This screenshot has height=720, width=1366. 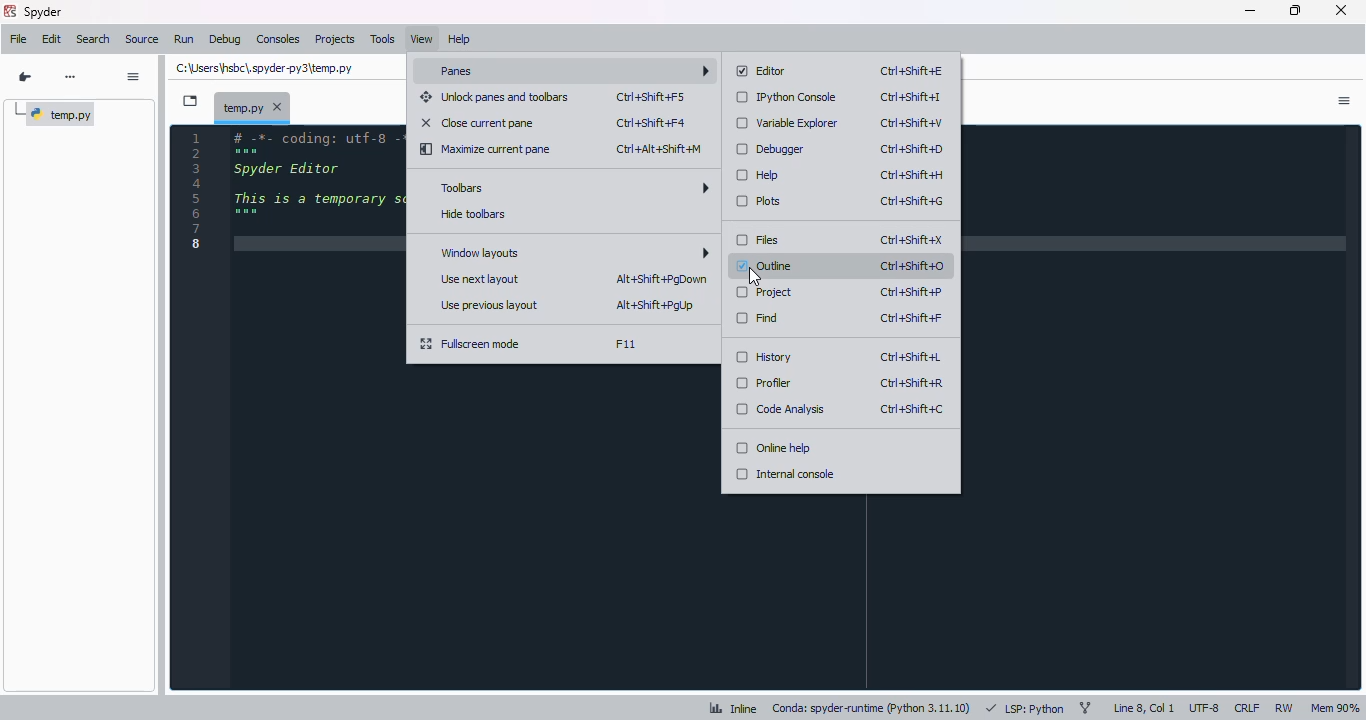 What do you see at coordinates (912, 266) in the screenshot?
I see `shortcut for outline` at bounding box center [912, 266].